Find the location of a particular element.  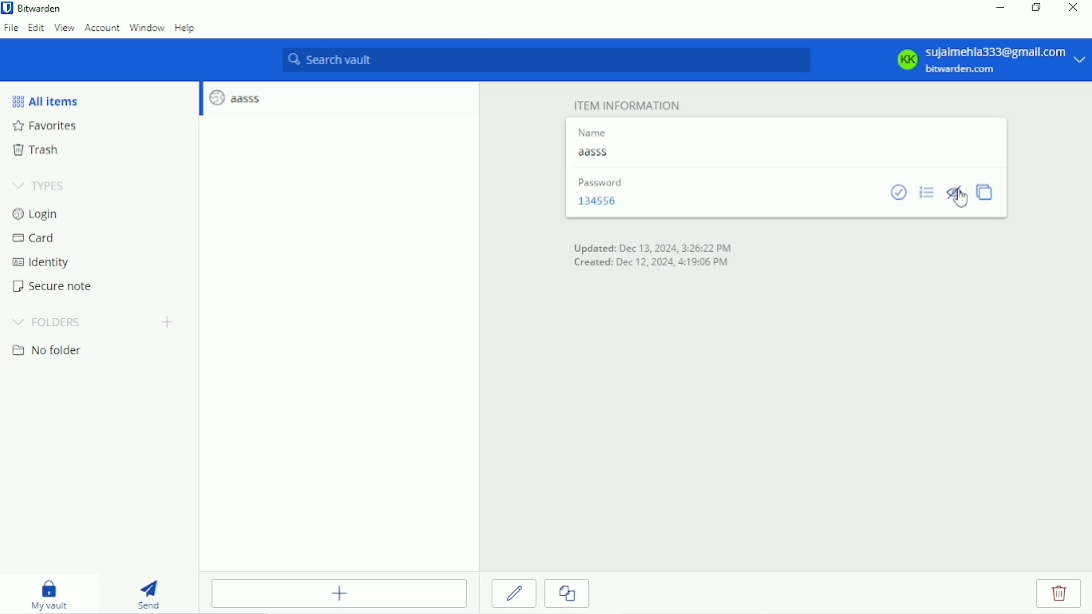

Updated on is located at coordinates (653, 247).